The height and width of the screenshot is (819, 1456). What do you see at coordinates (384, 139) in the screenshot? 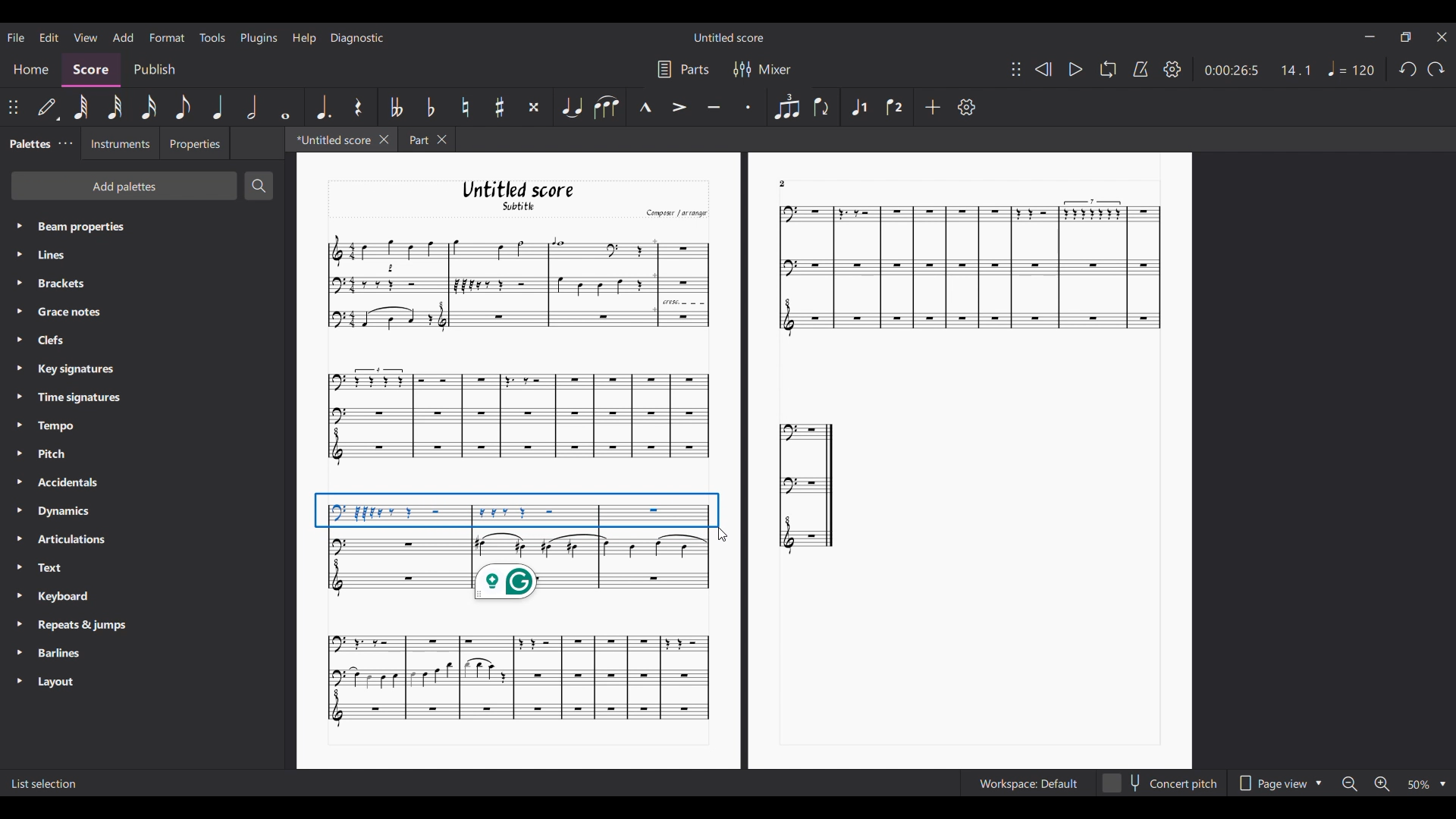
I see `Close current tab` at bounding box center [384, 139].